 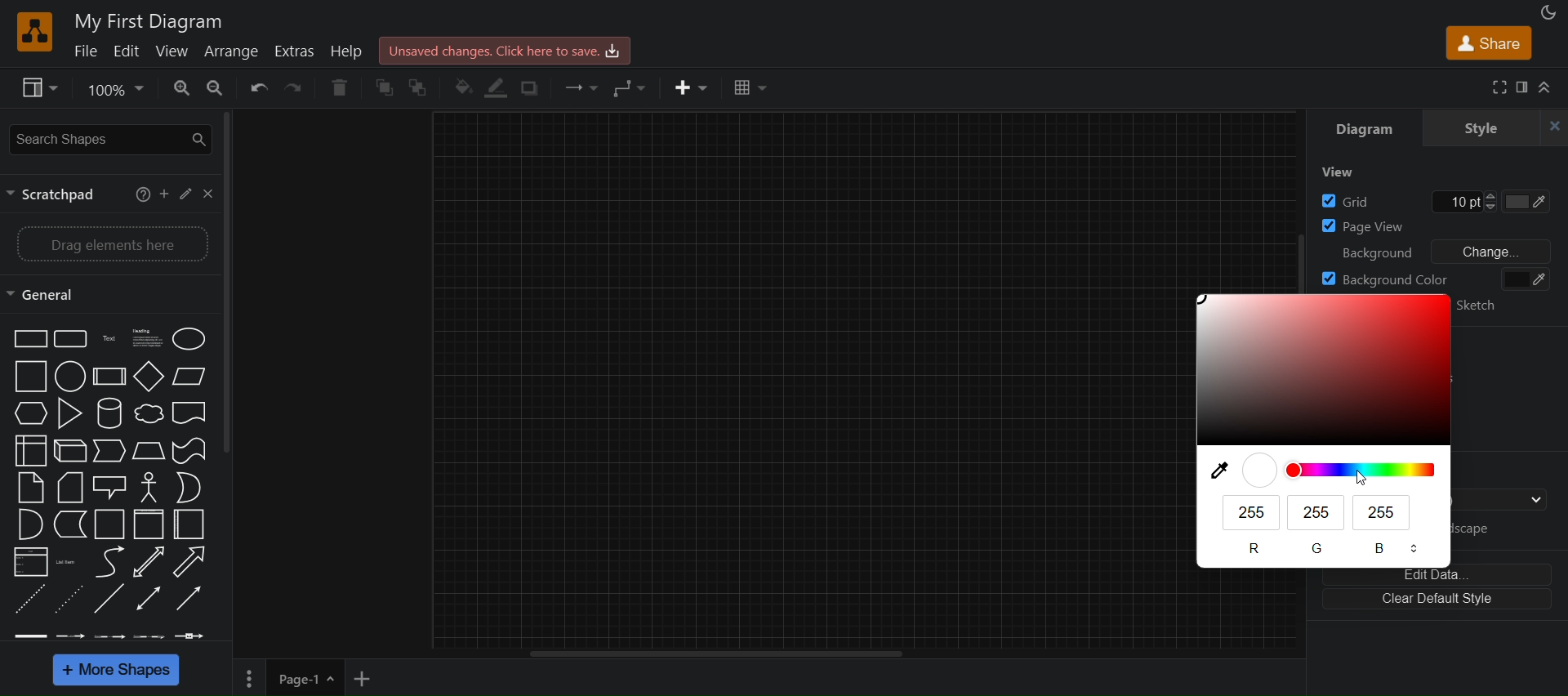 I want to click on fill color, so click(x=463, y=90).